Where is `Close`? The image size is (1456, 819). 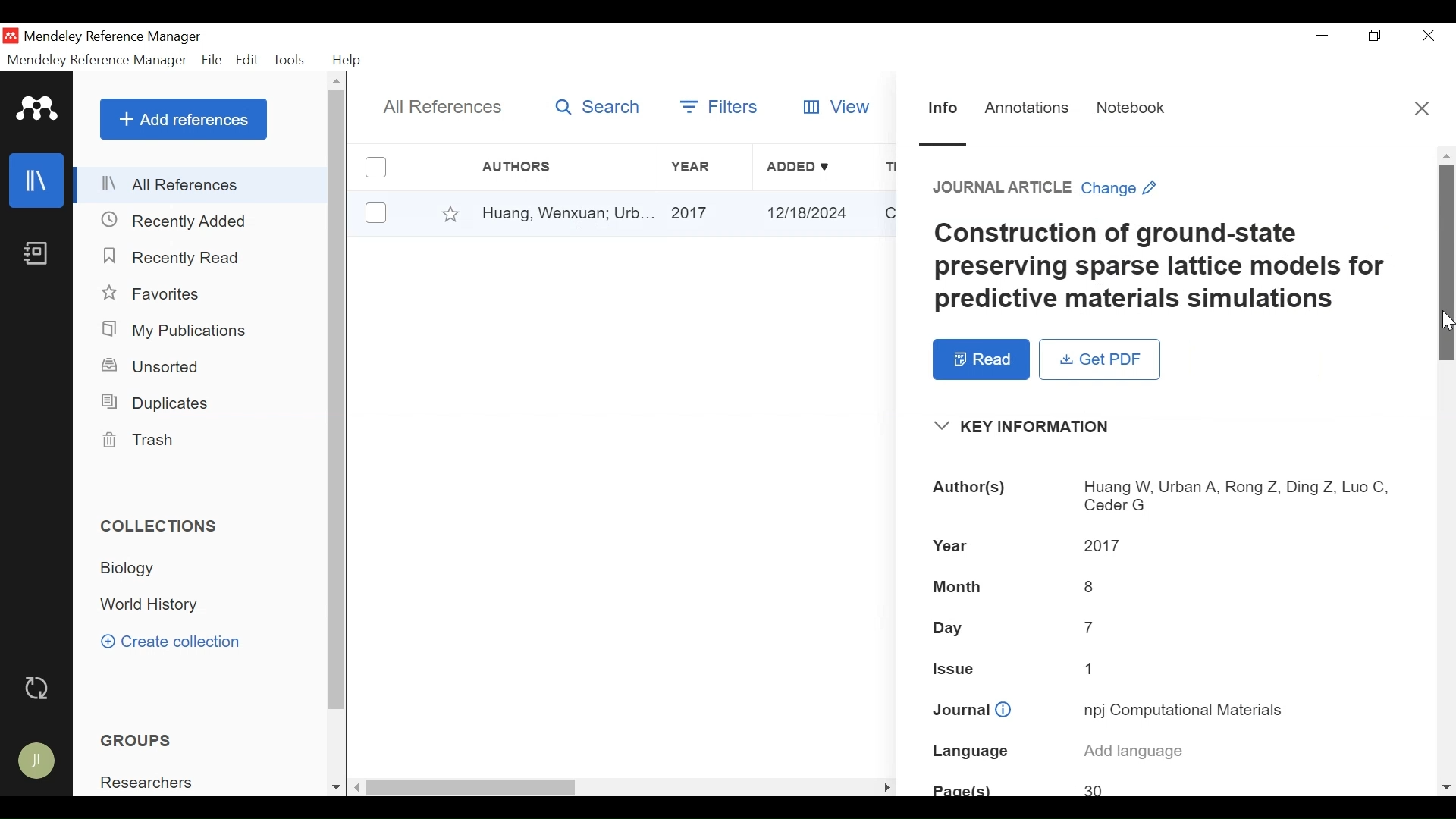
Close is located at coordinates (1428, 35).